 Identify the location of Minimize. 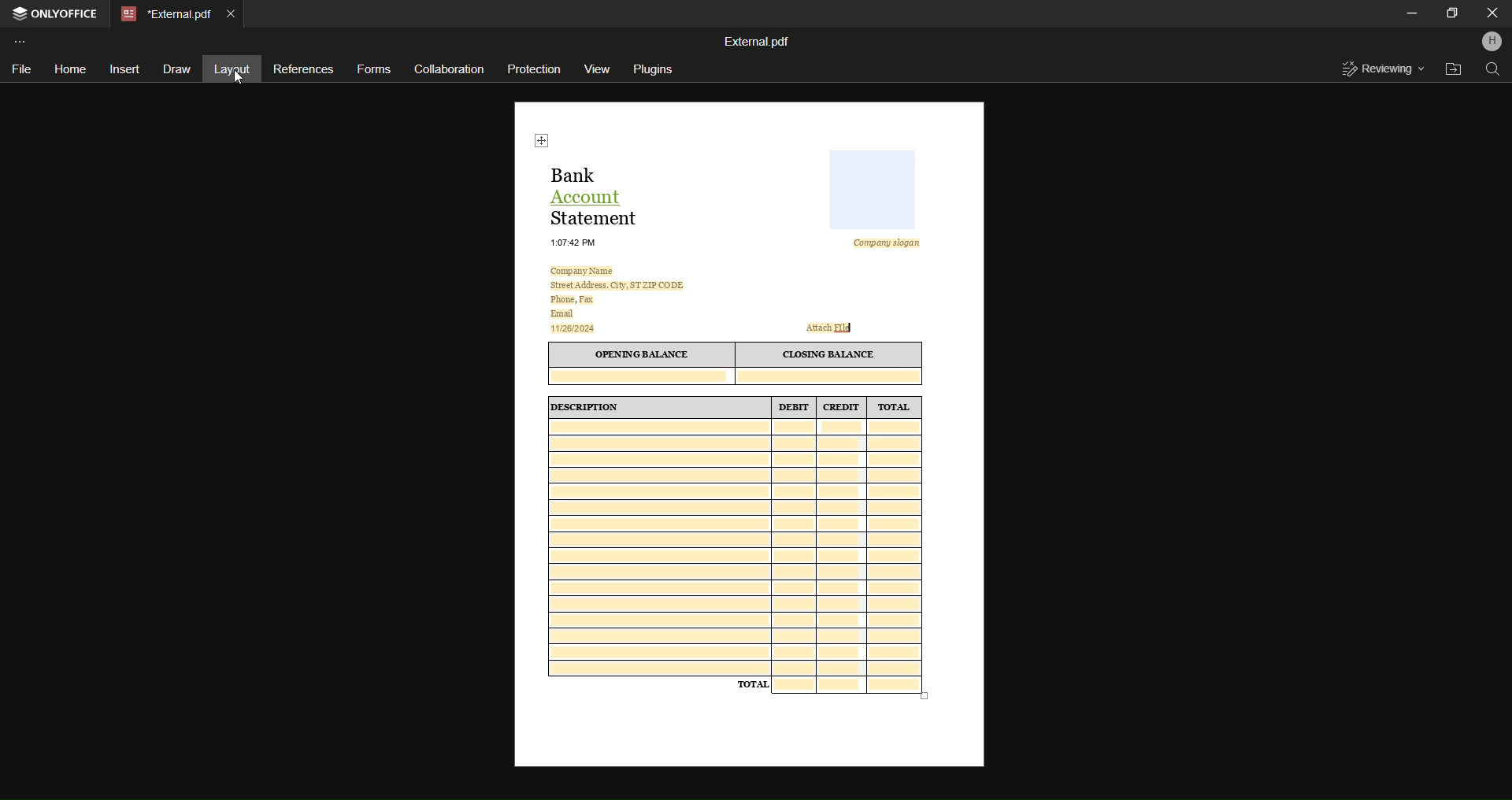
(1405, 15).